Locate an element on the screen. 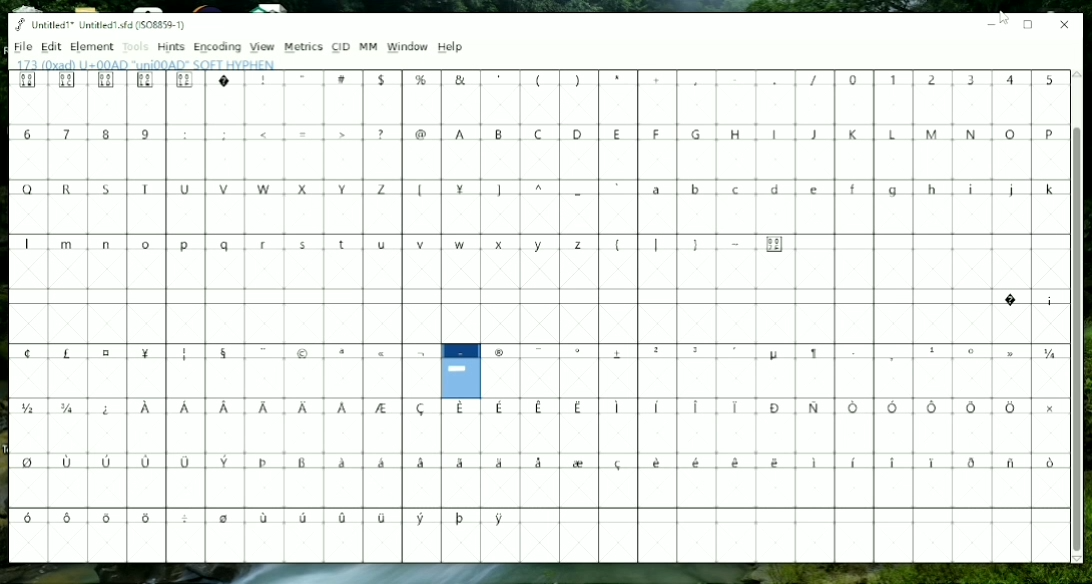 The image size is (1092, 584). Hints is located at coordinates (171, 47).